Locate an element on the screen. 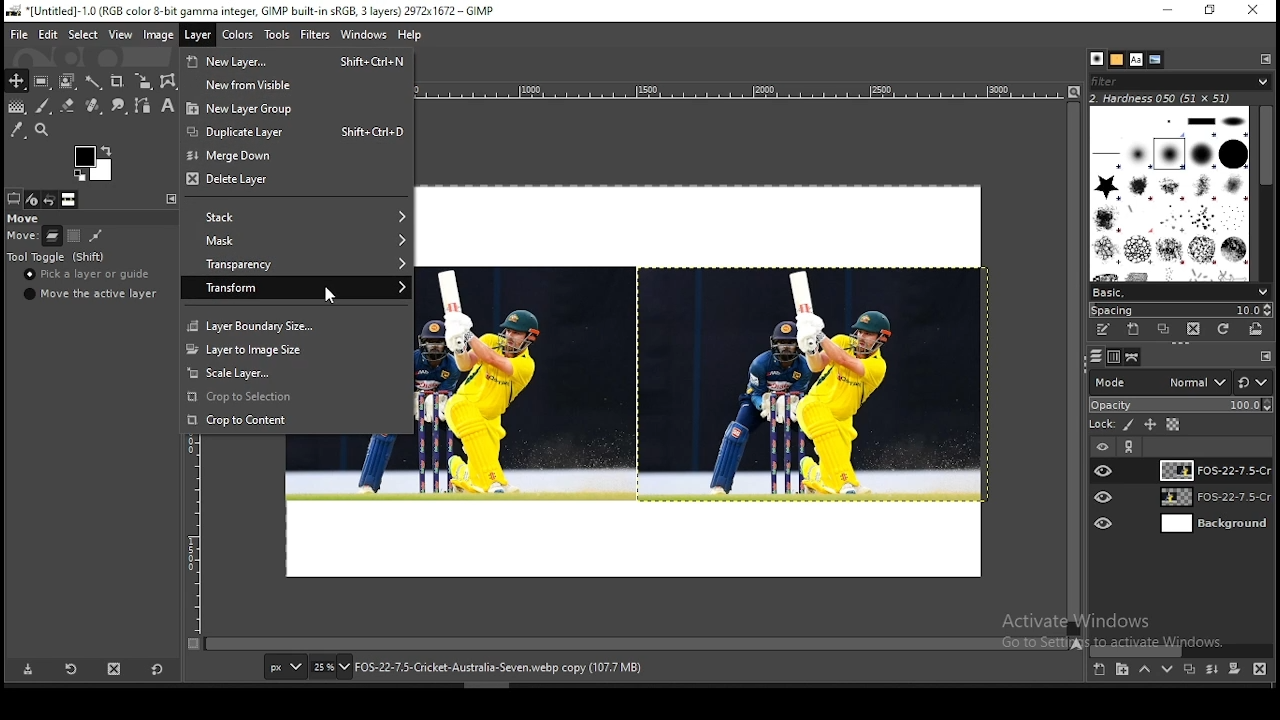 The image size is (1280, 720). opacity is located at coordinates (1180, 406).